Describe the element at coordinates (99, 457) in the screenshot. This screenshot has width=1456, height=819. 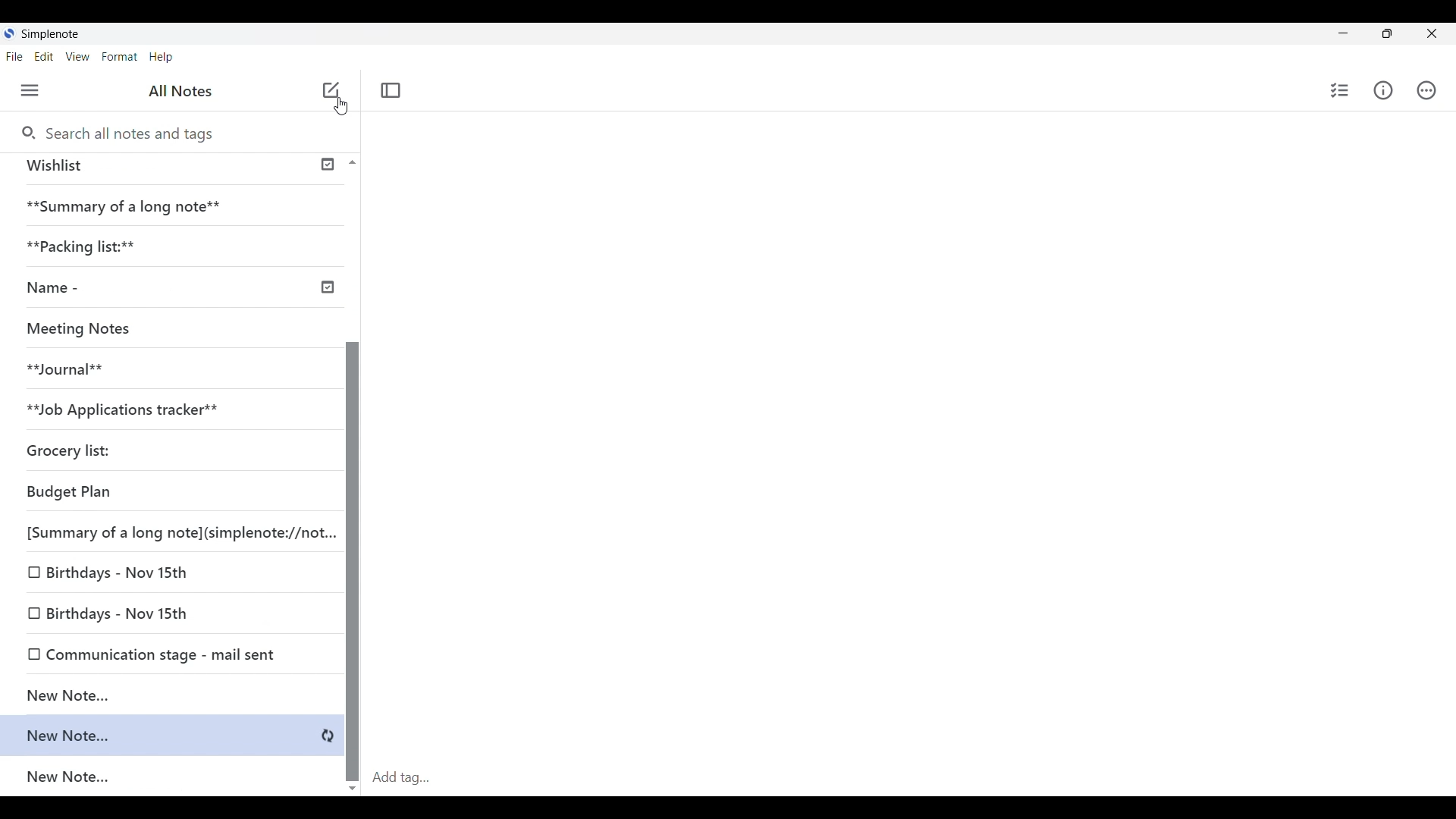
I see `Grocery list:` at that location.